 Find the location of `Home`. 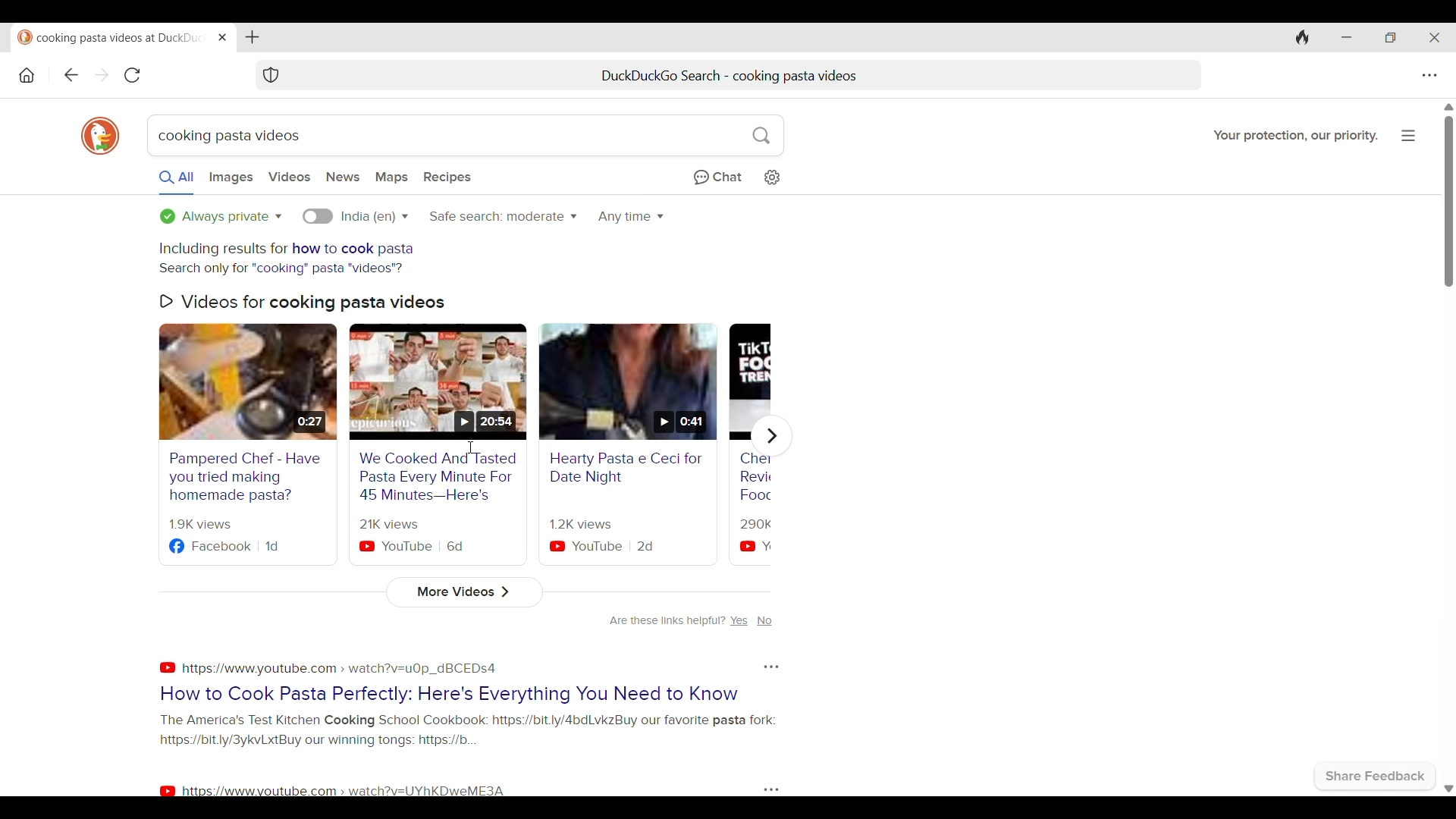

Home is located at coordinates (27, 75).